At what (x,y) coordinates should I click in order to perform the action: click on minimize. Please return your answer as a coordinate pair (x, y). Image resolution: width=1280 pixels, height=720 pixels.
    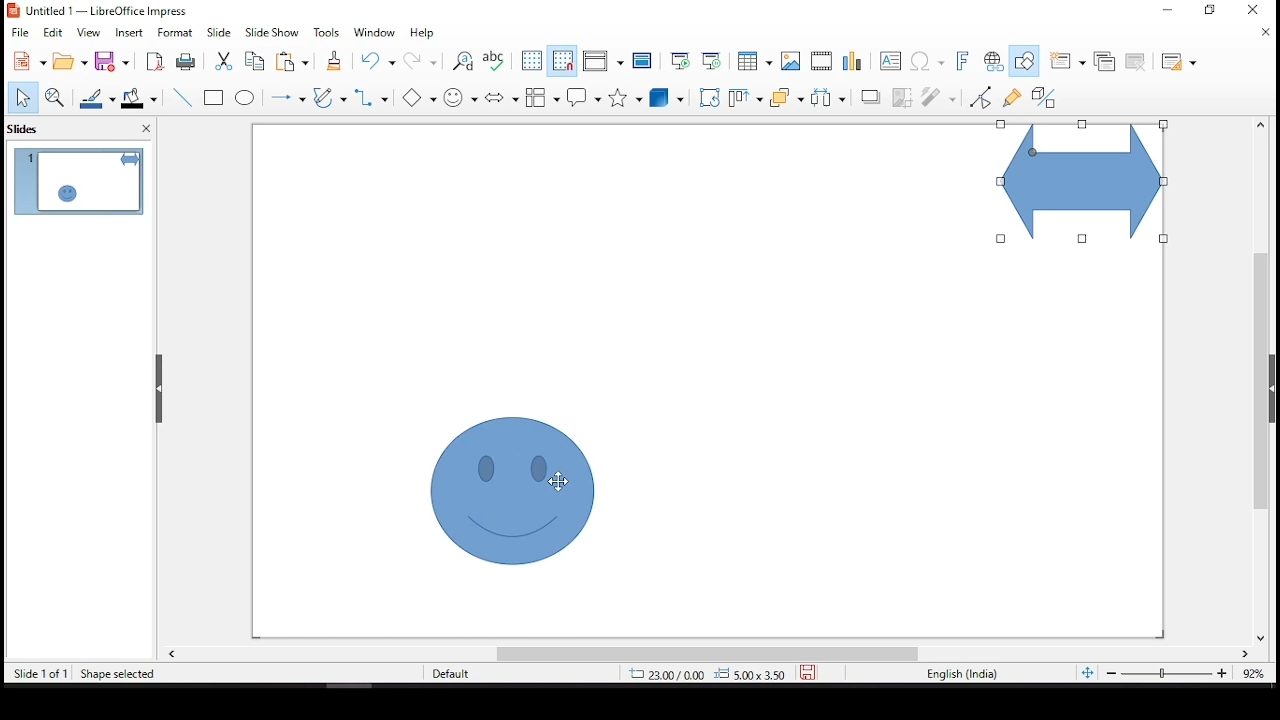
    Looking at the image, I should click on (1169, 8).